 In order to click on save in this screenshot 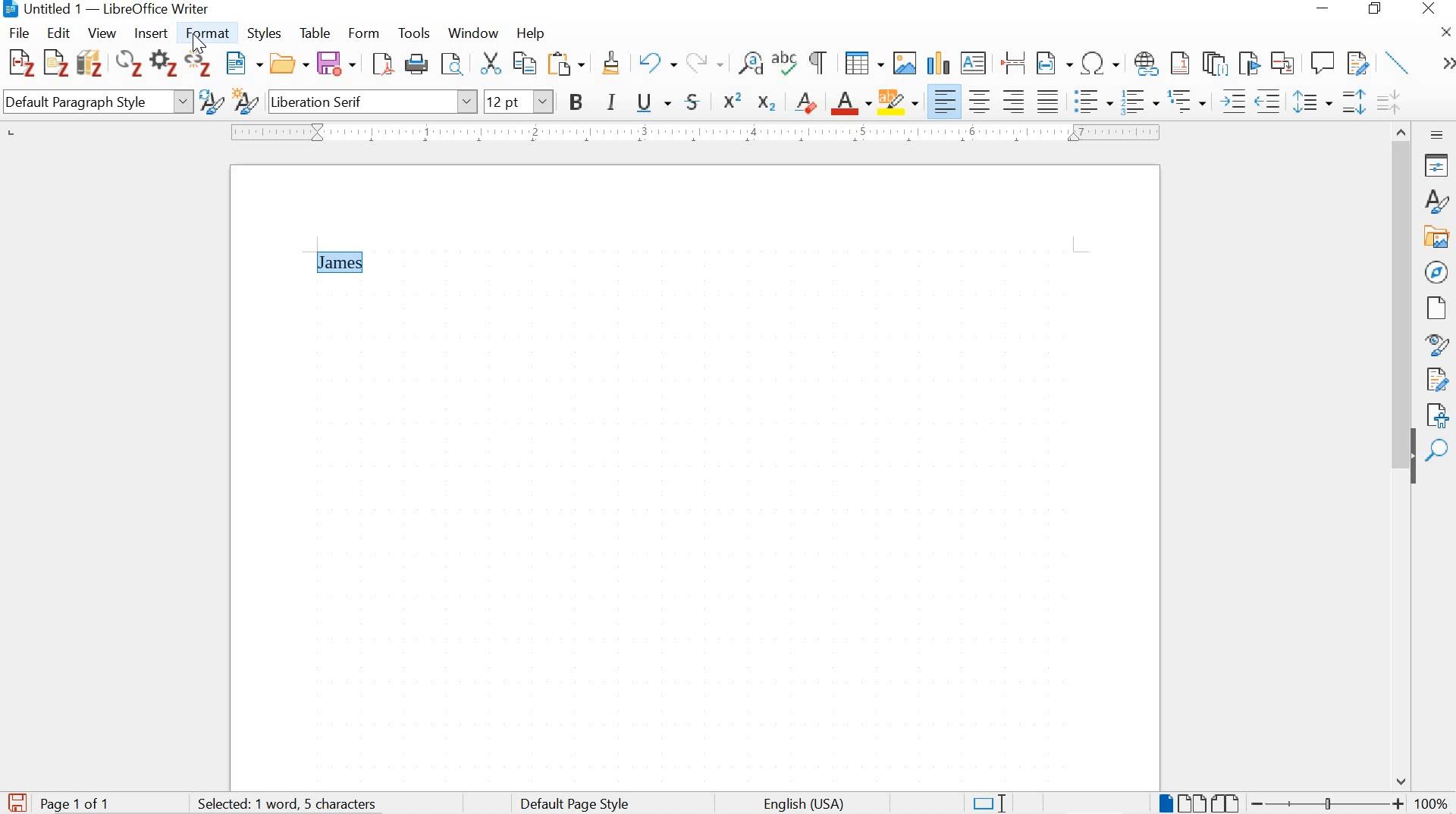, I will do `click(336, 64)`.